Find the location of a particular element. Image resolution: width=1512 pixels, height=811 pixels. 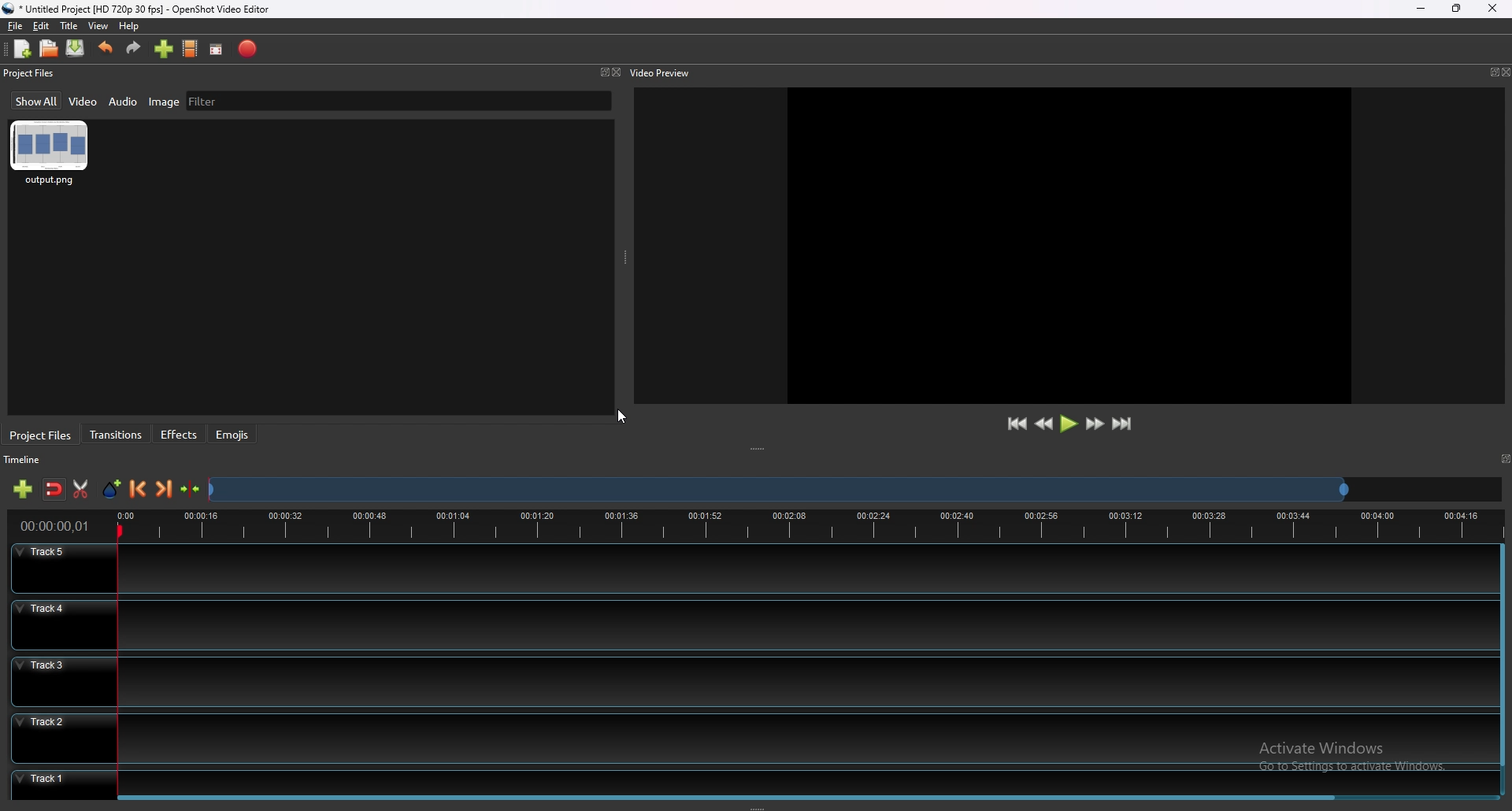

import files is located at coordinates (164, 49).